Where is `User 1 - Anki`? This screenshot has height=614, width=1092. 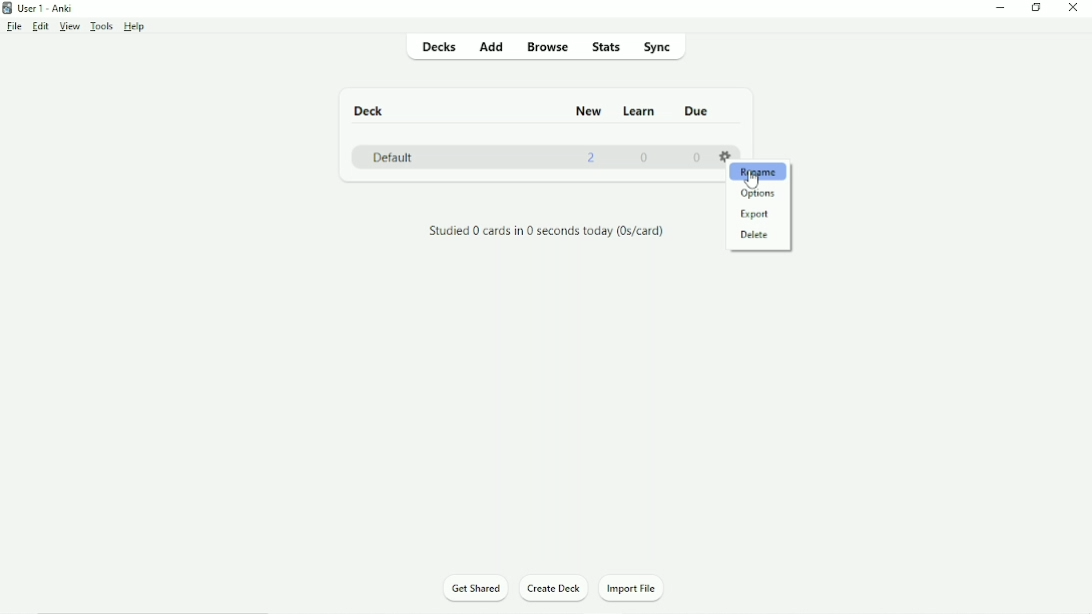
User 1 - Anki is located at coordinates (44, 8).